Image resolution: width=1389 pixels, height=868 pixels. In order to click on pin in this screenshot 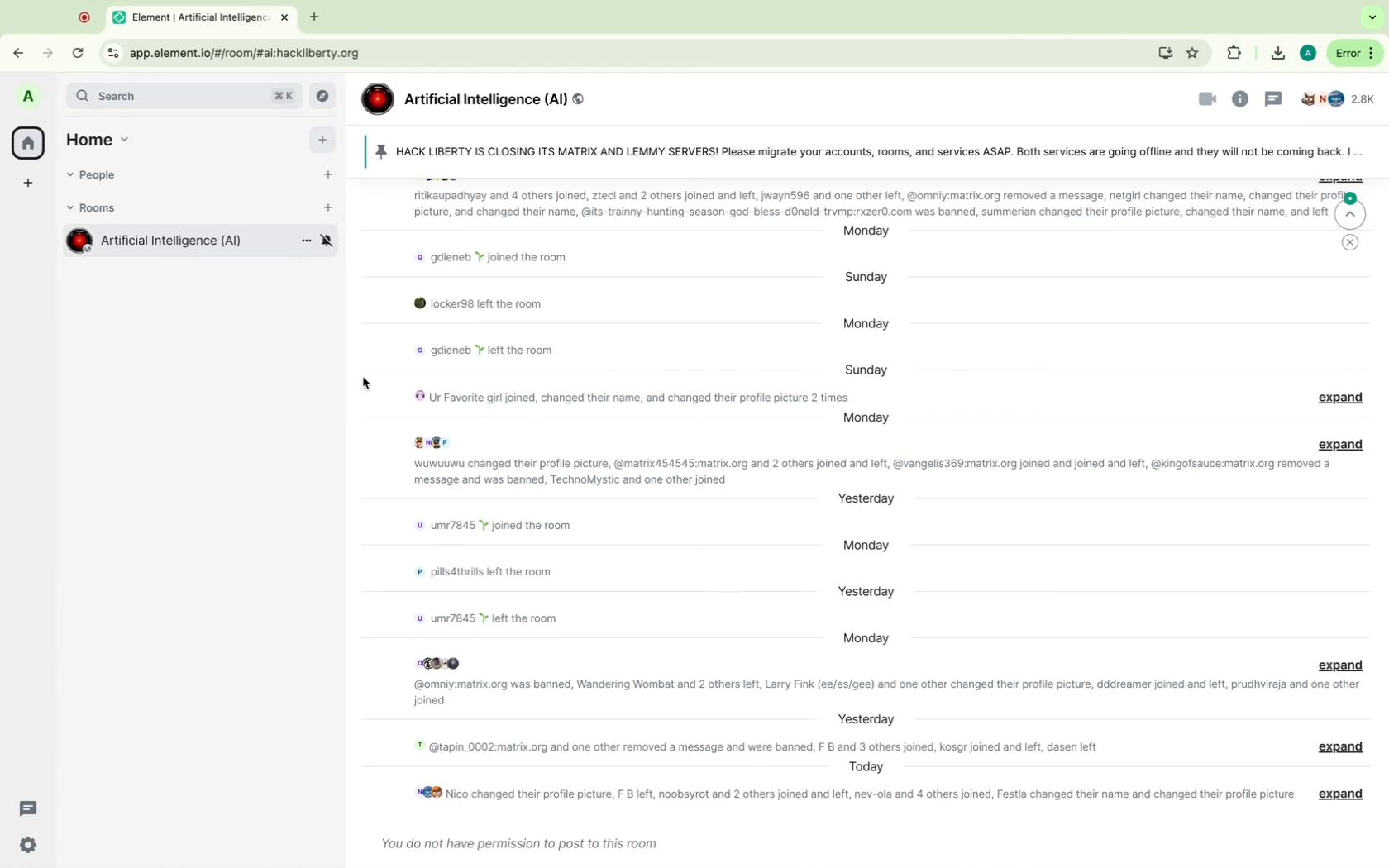, I will do `click(860, 150)`.